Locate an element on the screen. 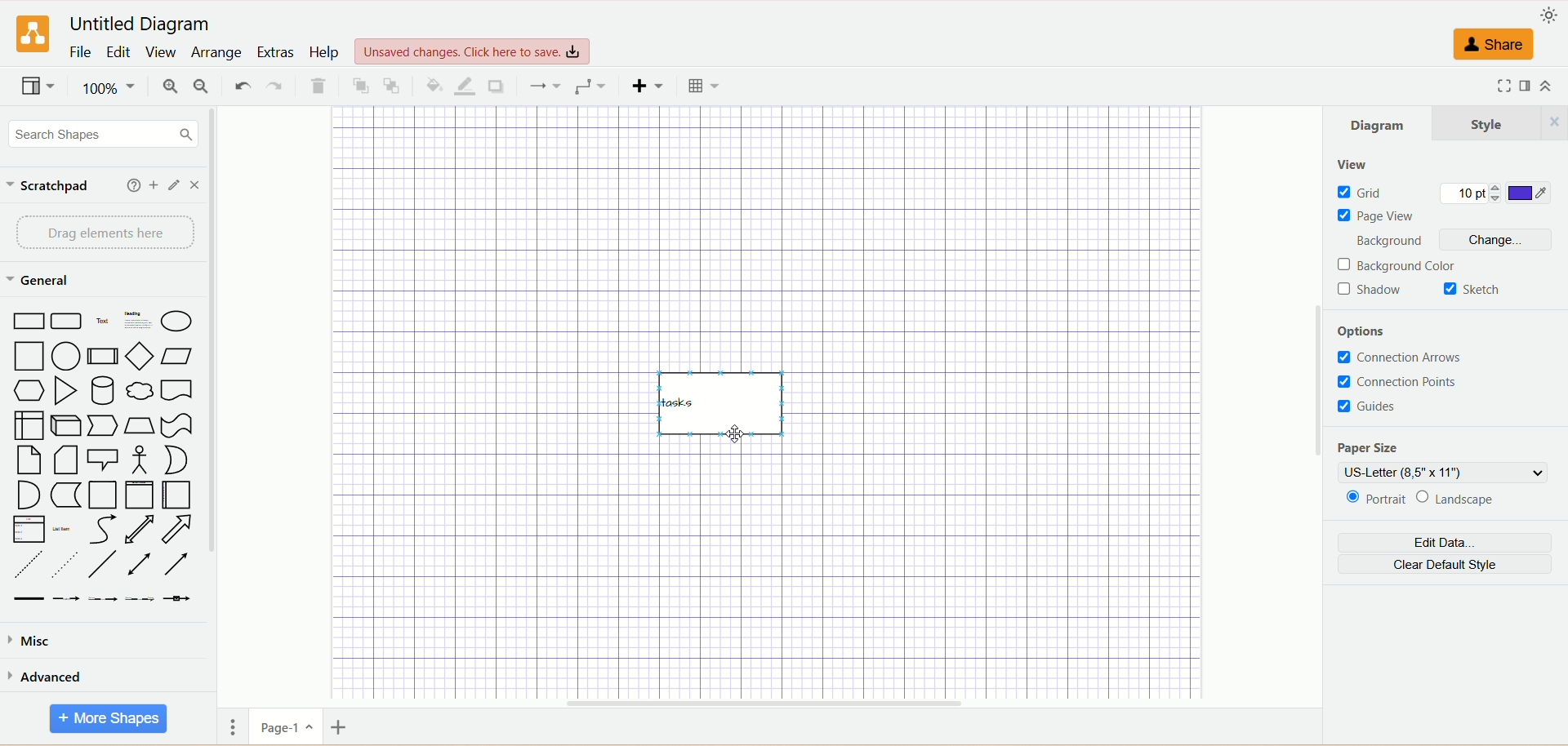  line color is located at coordinates (464, 86).